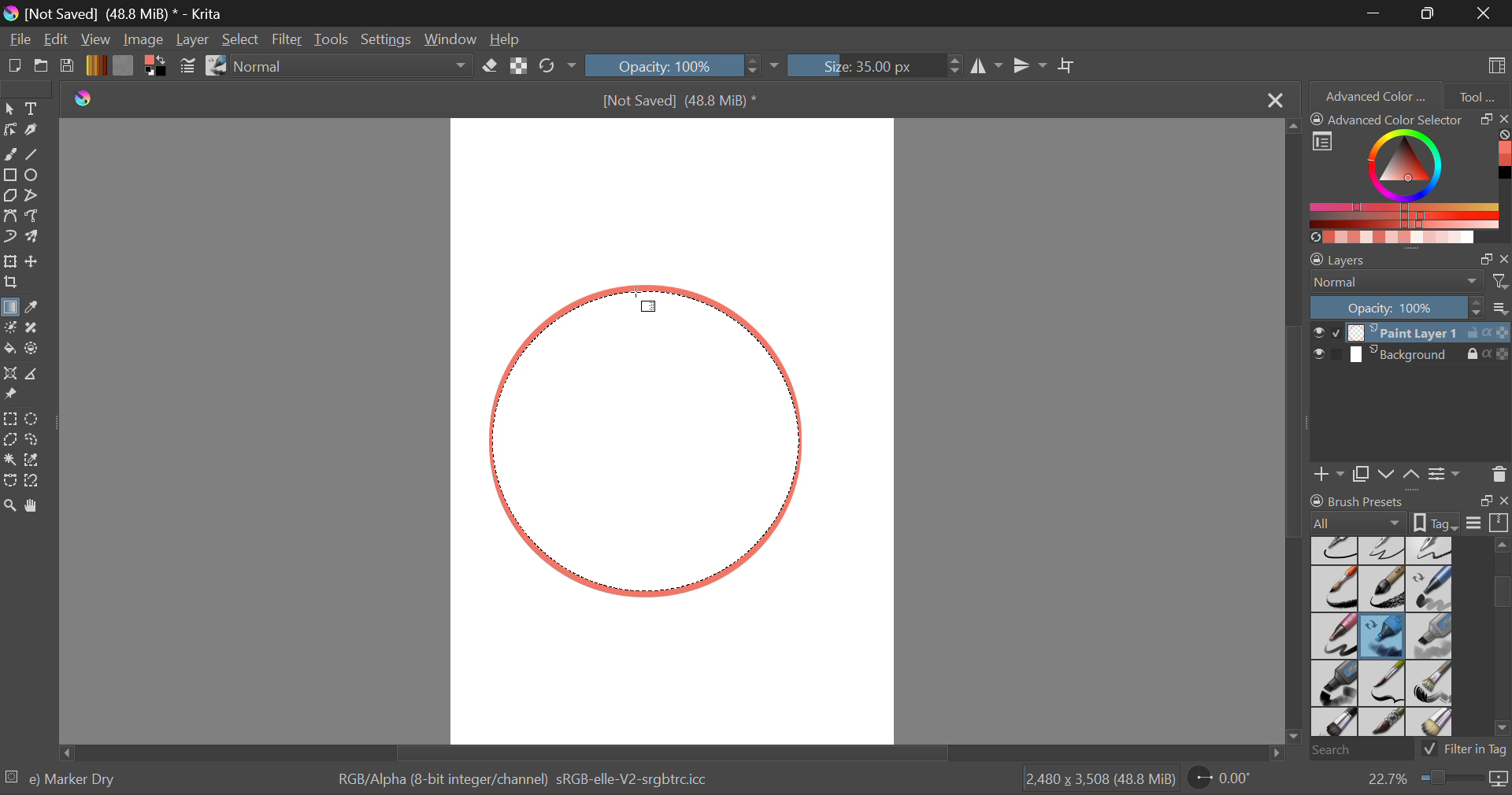  I want to click on Line, so click(35, 156).